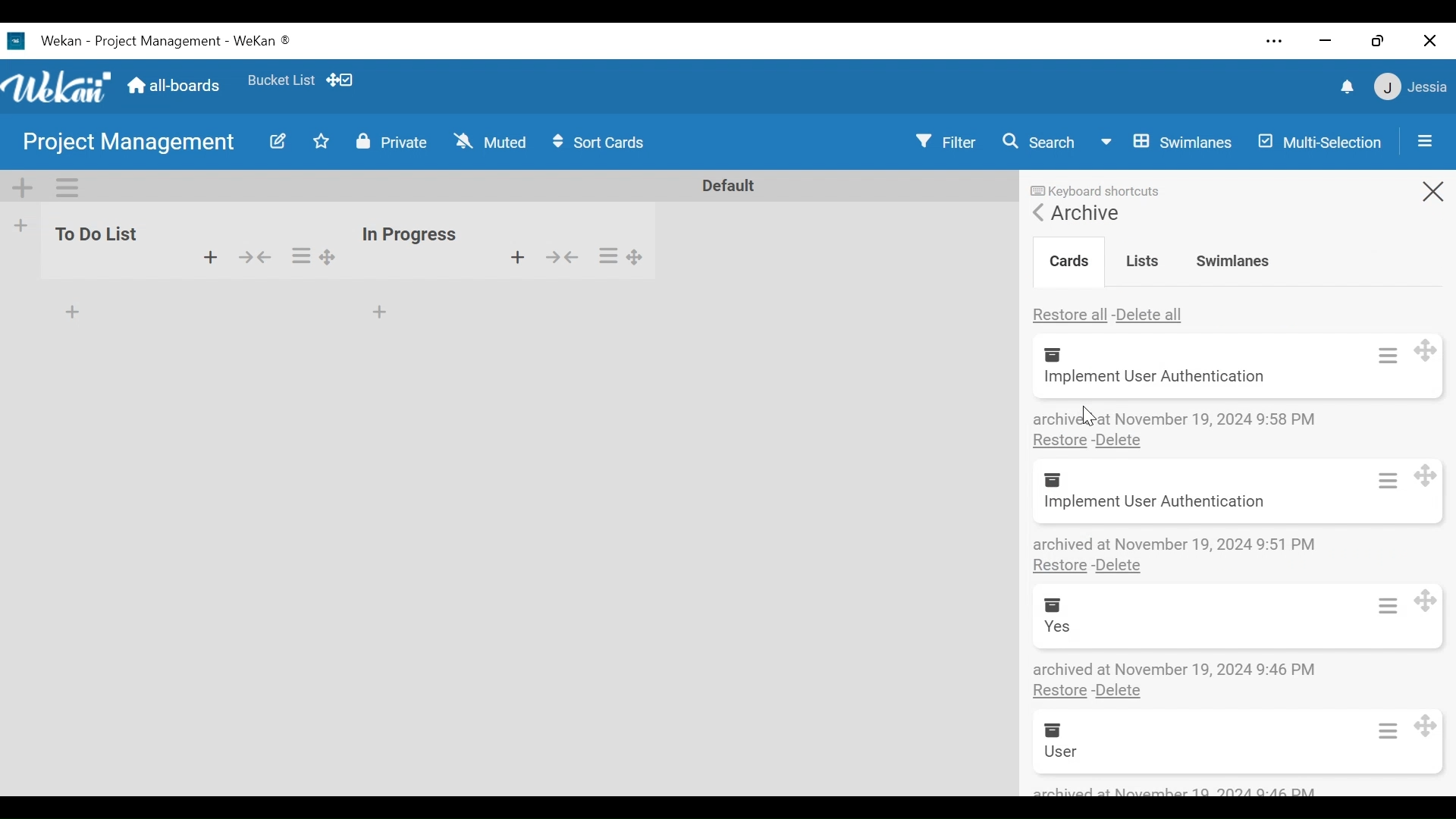 This screenshot has width=1456, height=819. Describe the element at coordinates (1089, 214) in the screenshot. I see `Archive` at that location.